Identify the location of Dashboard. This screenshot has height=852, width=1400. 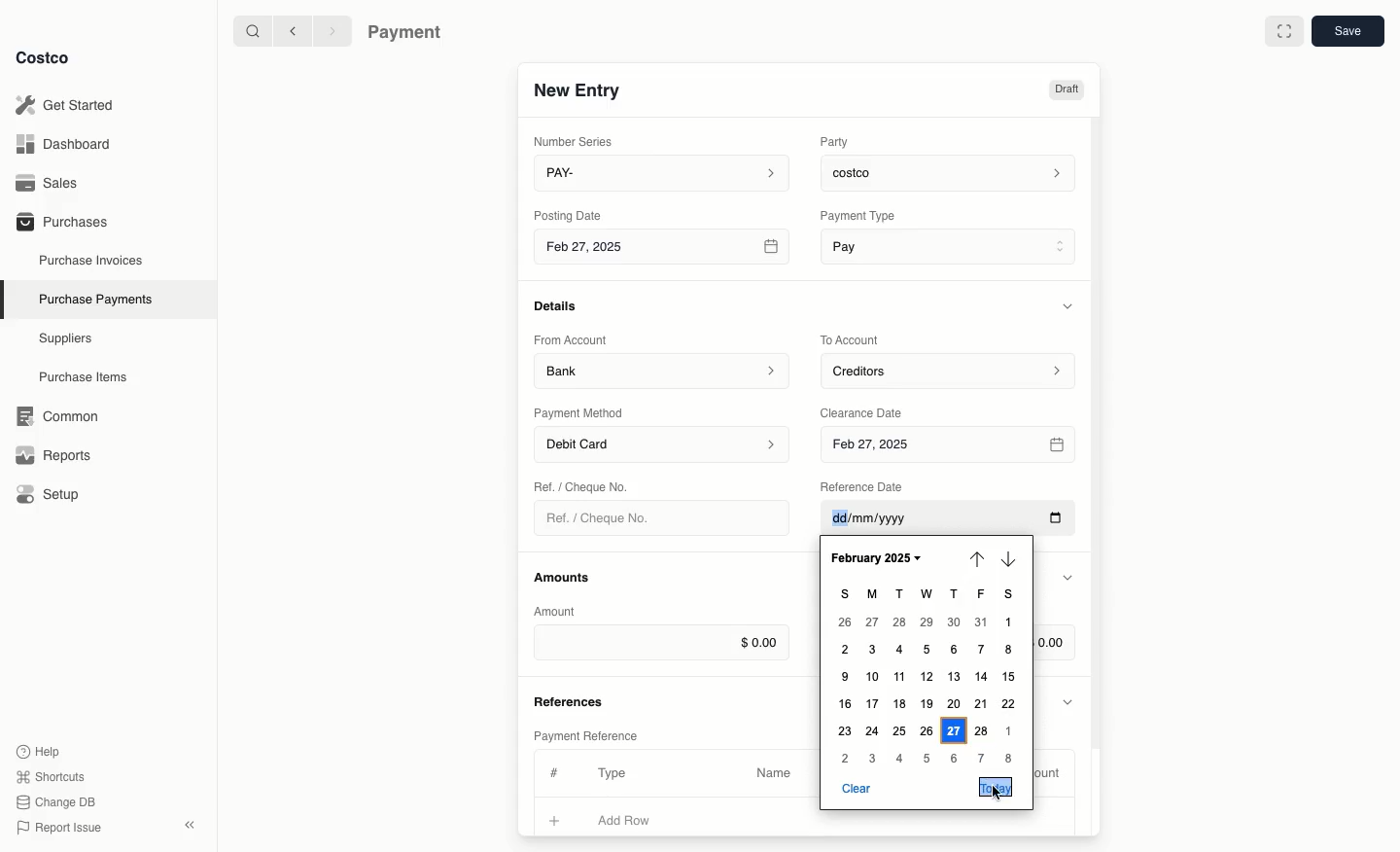
(69, 143).